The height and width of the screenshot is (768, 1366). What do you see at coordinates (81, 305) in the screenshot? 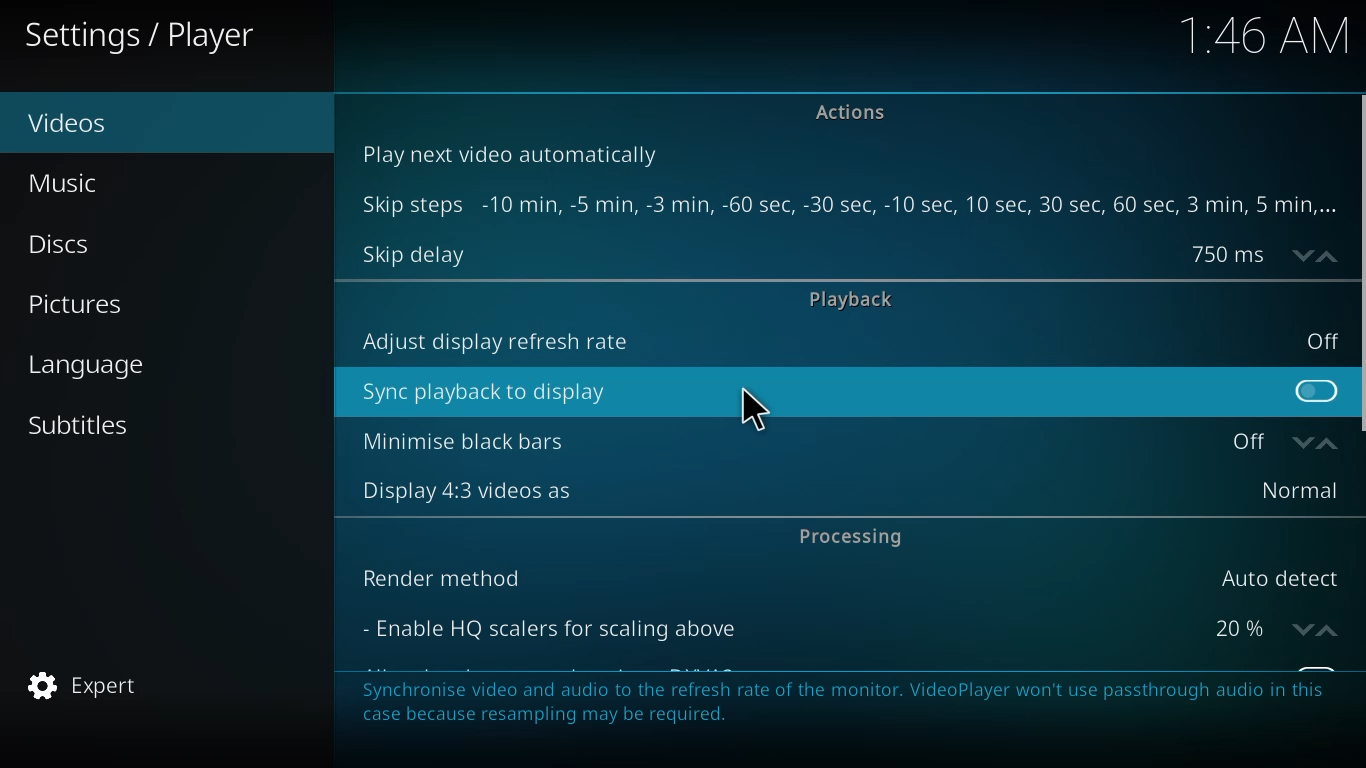
I see `pictures` at bounding box center [81, 305].